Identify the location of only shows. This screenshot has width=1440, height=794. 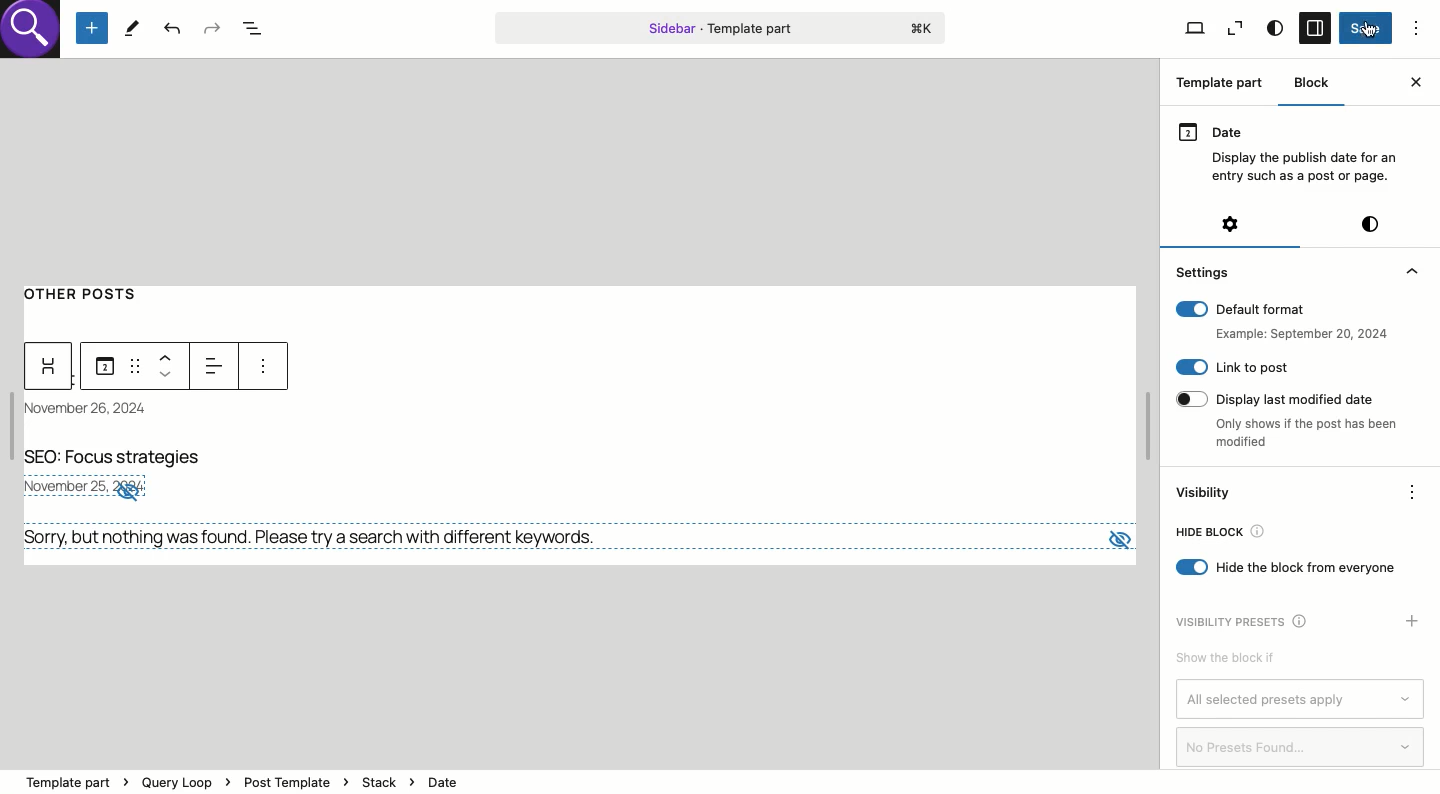
(1307, 435).